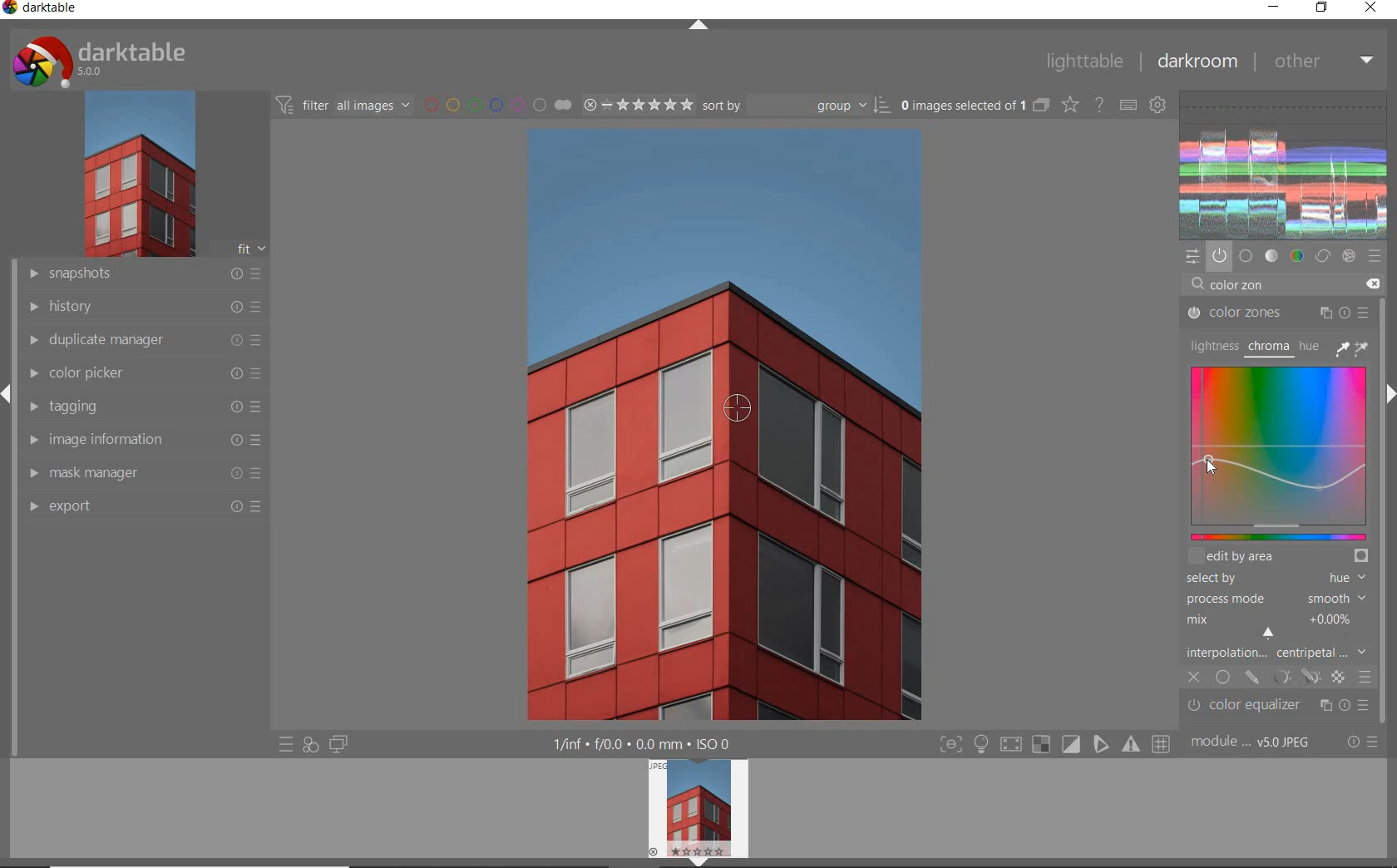  What do you see at coordinates (736, 408) in the screenshot?
I see `COLOR PICKER TOOL POSITION` at bounding box center [736, 408].